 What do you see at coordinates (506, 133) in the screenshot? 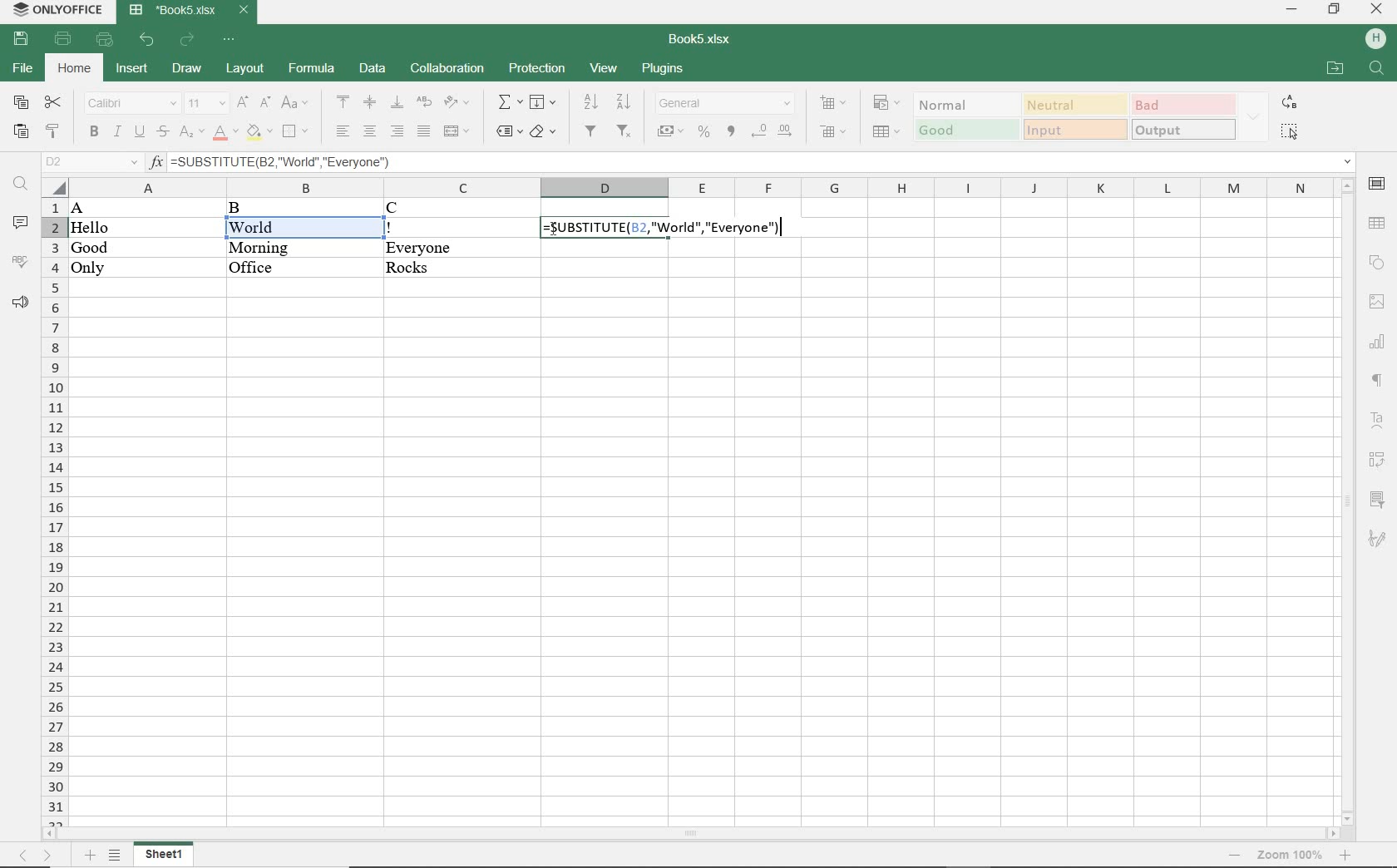
I see `named ranges` at bounding box center [506, 133].